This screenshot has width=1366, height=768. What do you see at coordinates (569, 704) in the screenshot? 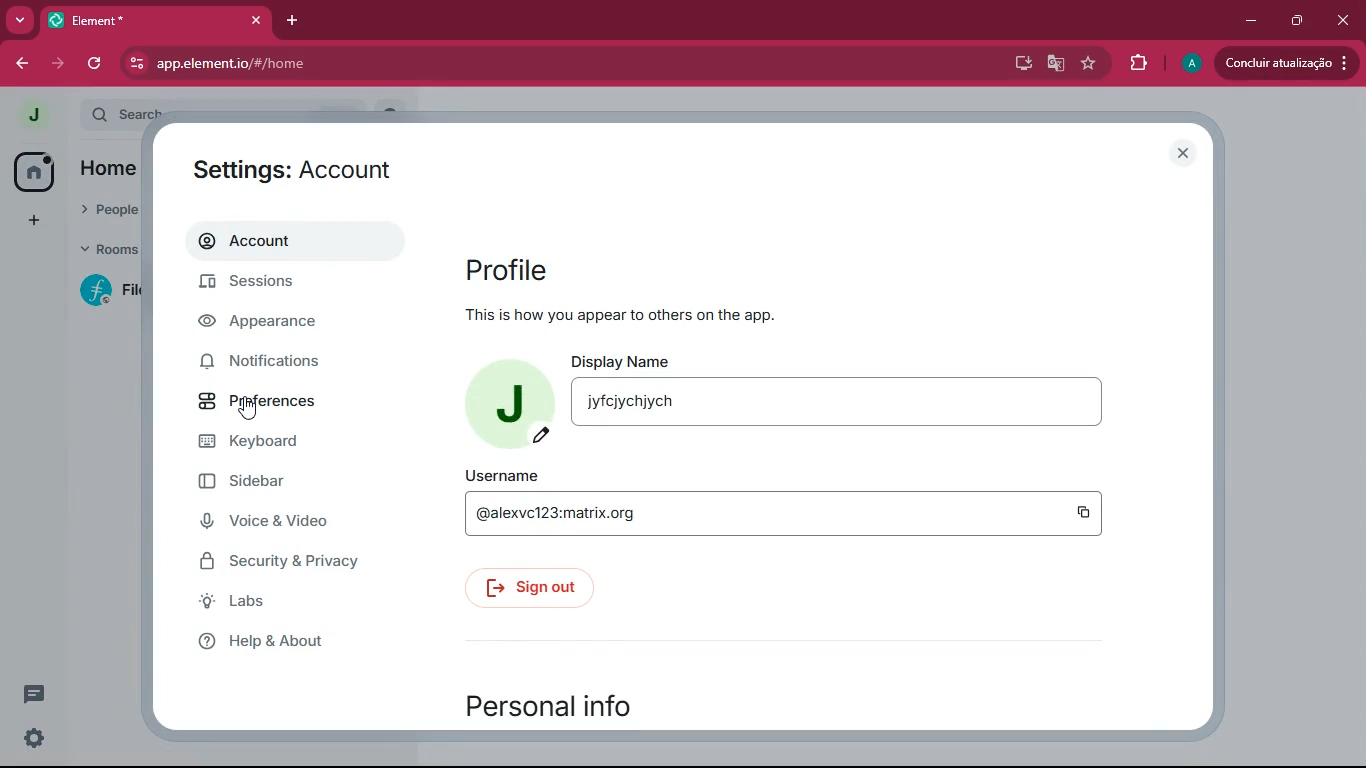
I see `personal info` at bounding box center [569, 704].